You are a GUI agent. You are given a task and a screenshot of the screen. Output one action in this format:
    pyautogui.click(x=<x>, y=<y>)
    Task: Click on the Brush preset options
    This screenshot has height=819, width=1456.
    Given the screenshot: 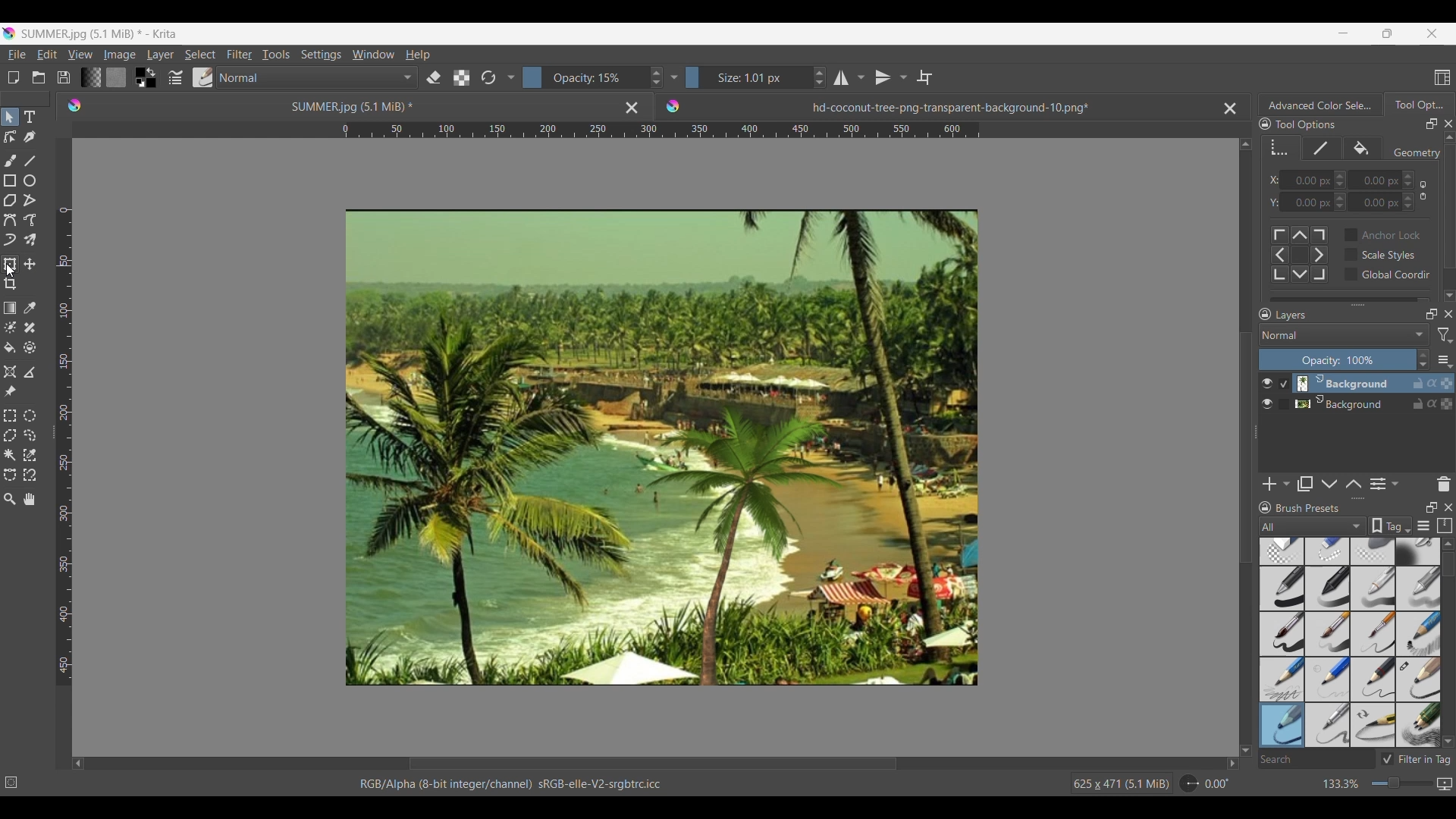 What is the action you would take?
    pyautogui.click(x=1264, y=526)
    